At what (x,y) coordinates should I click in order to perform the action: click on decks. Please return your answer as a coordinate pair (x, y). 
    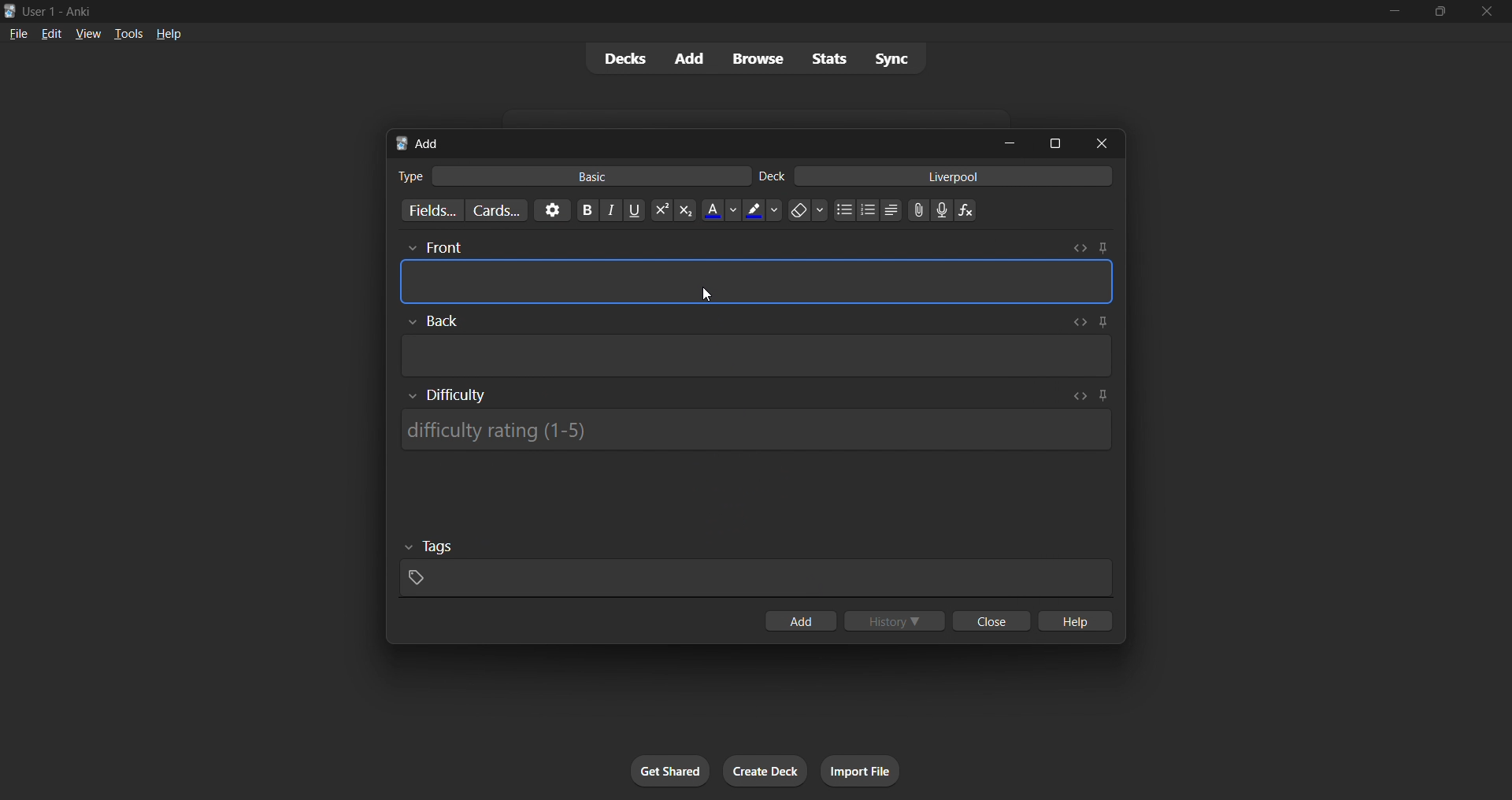
    Looking at the image, I should click on (623, 59).